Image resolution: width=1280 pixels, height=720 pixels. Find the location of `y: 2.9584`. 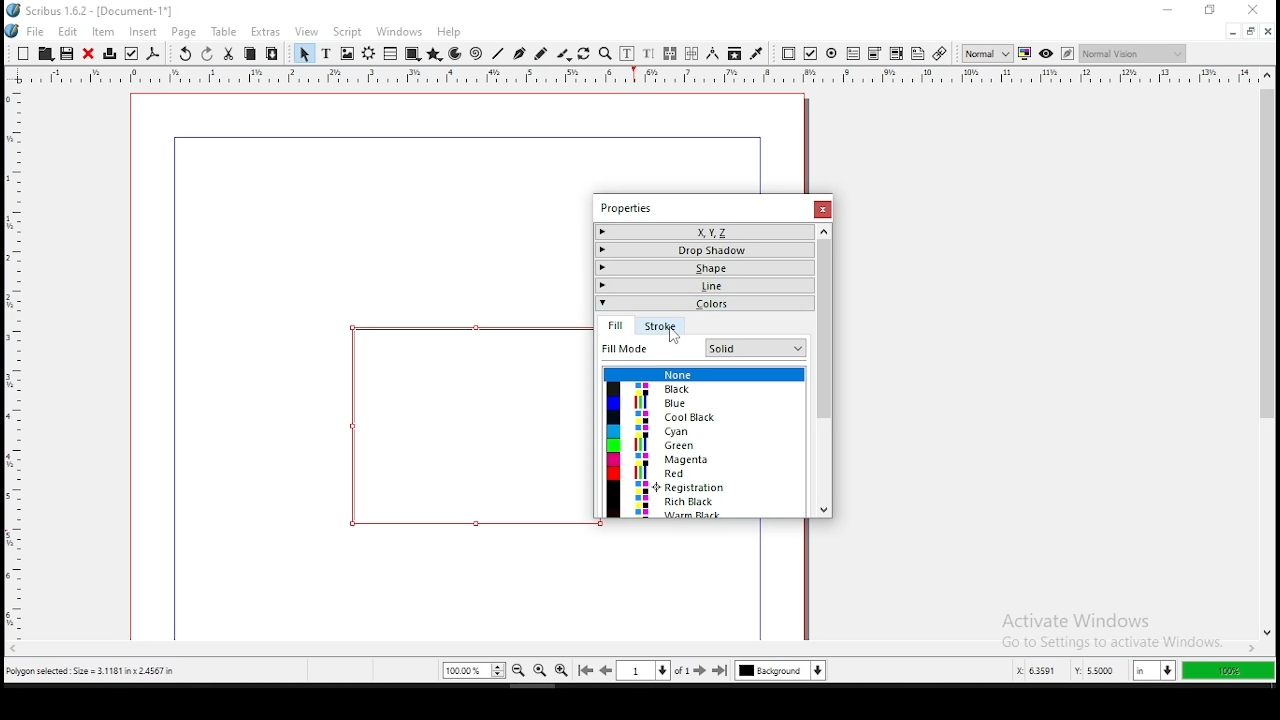

y: 2.9584 is located at coordinates (1094, 671).